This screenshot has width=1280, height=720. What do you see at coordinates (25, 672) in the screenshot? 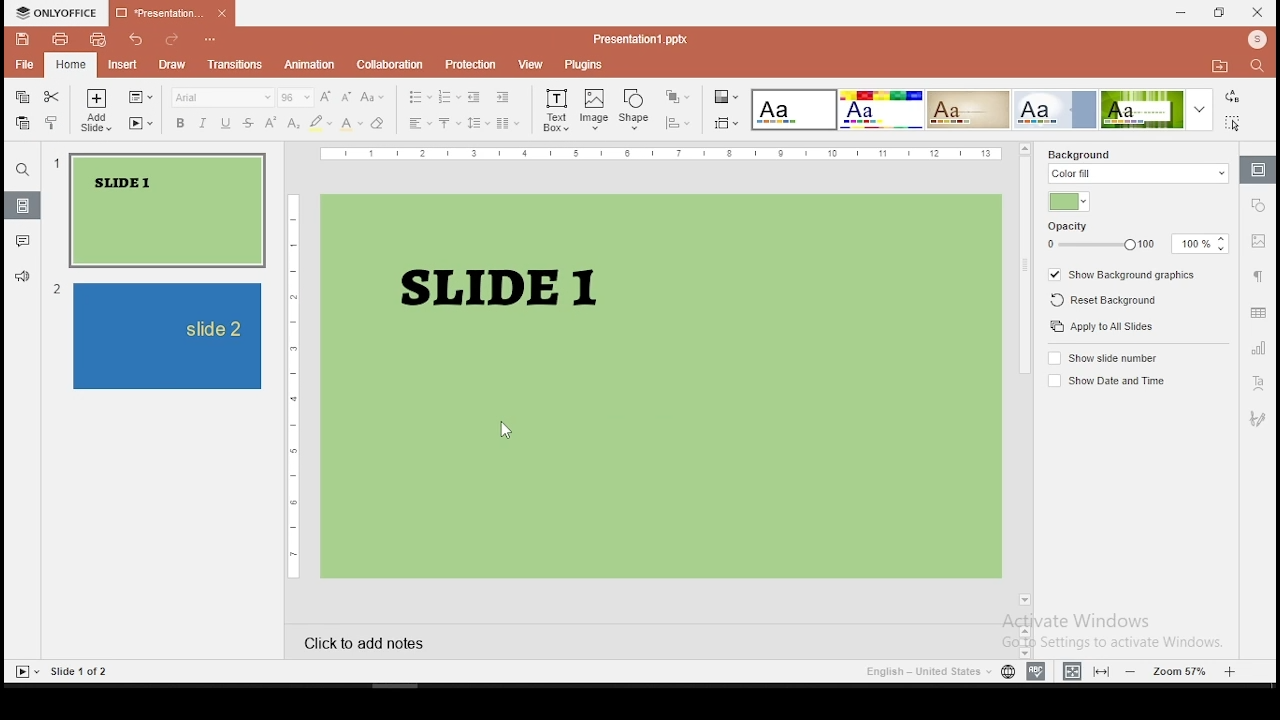
I see `start slide show` at bounding box center [25, 672].